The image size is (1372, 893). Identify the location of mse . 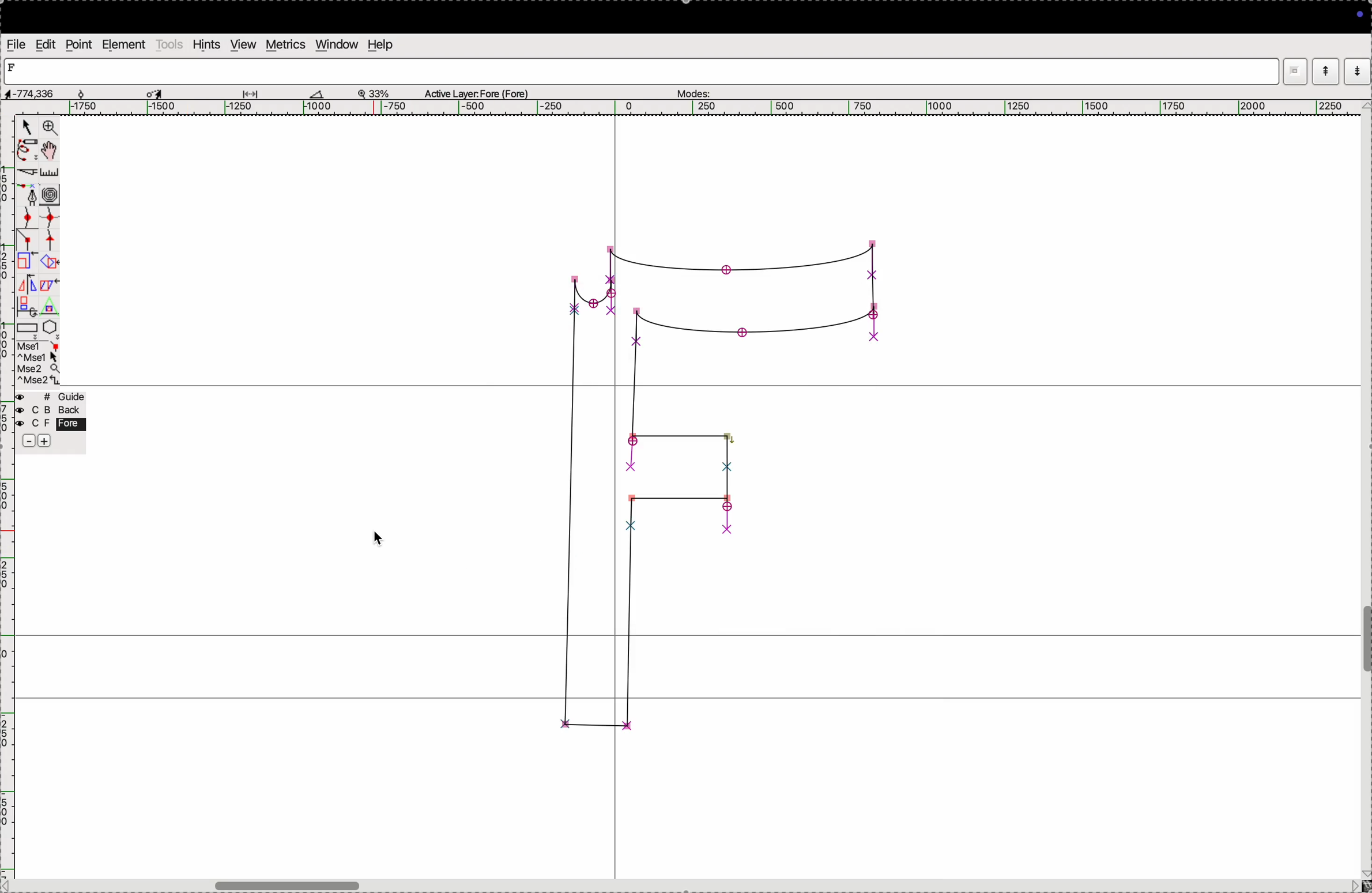
(39, 363).